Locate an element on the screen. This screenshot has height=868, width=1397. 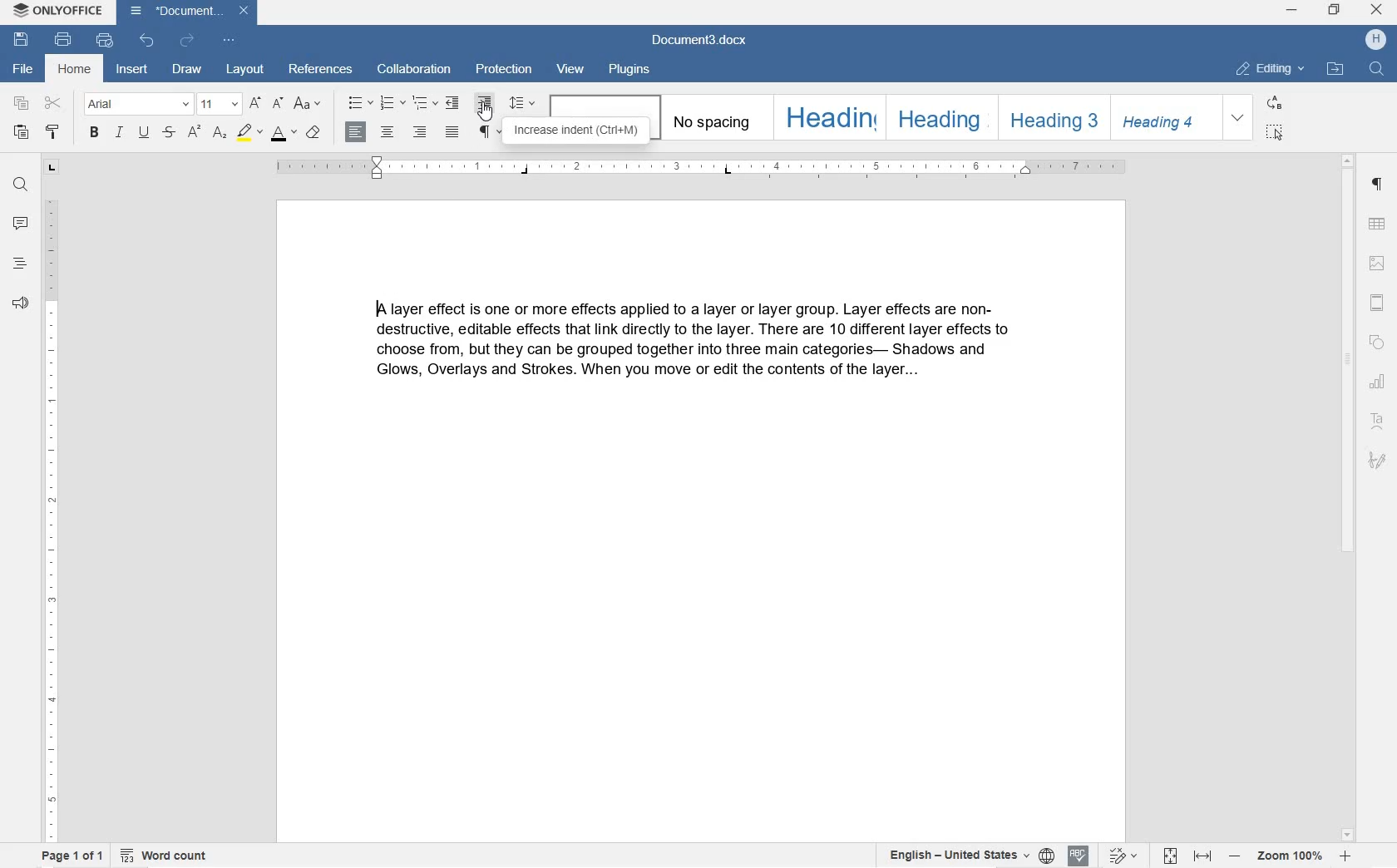
PRINT is located at coordinates (62, 39).